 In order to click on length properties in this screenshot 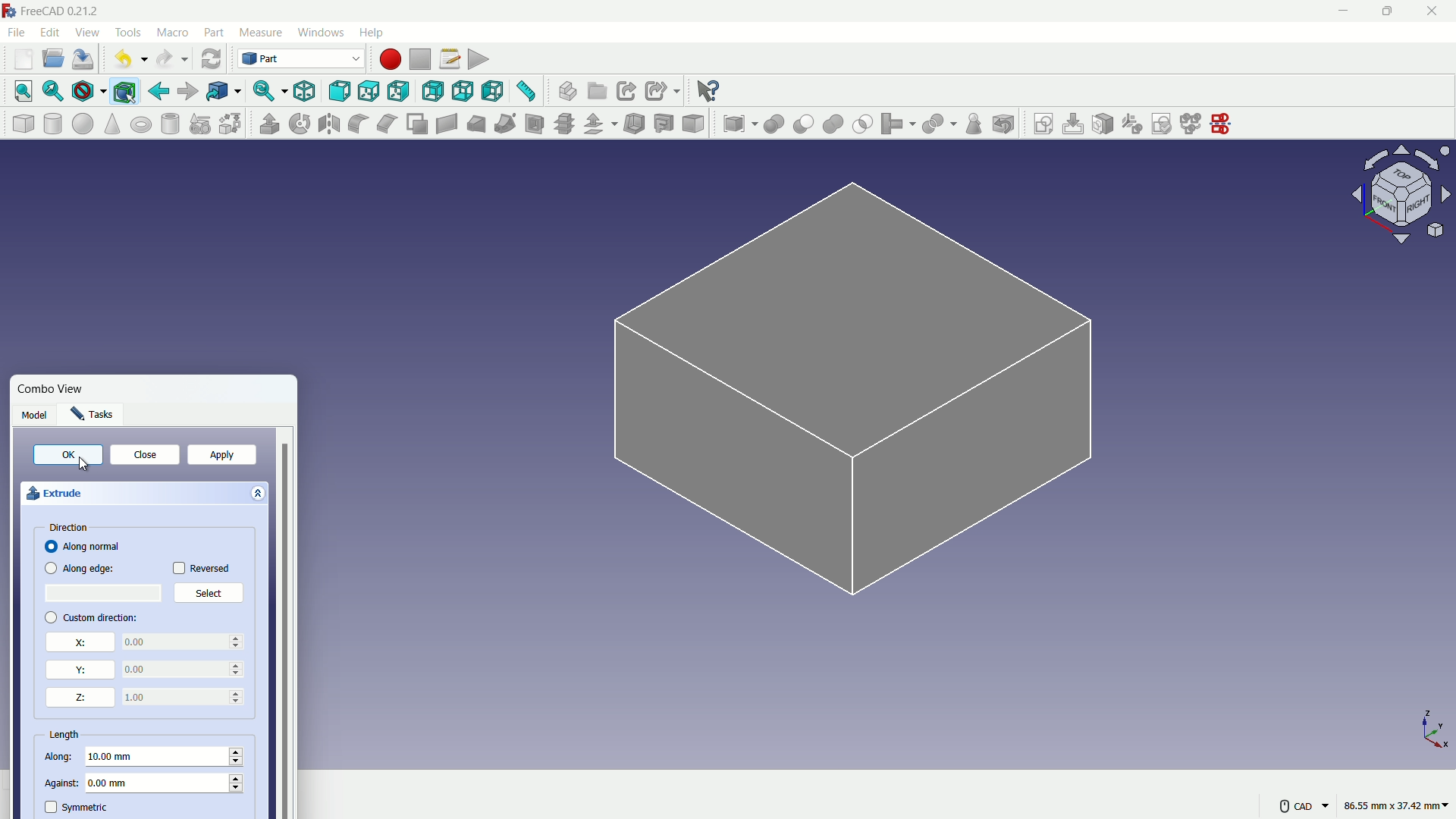, I will do `click(71, 735)`.